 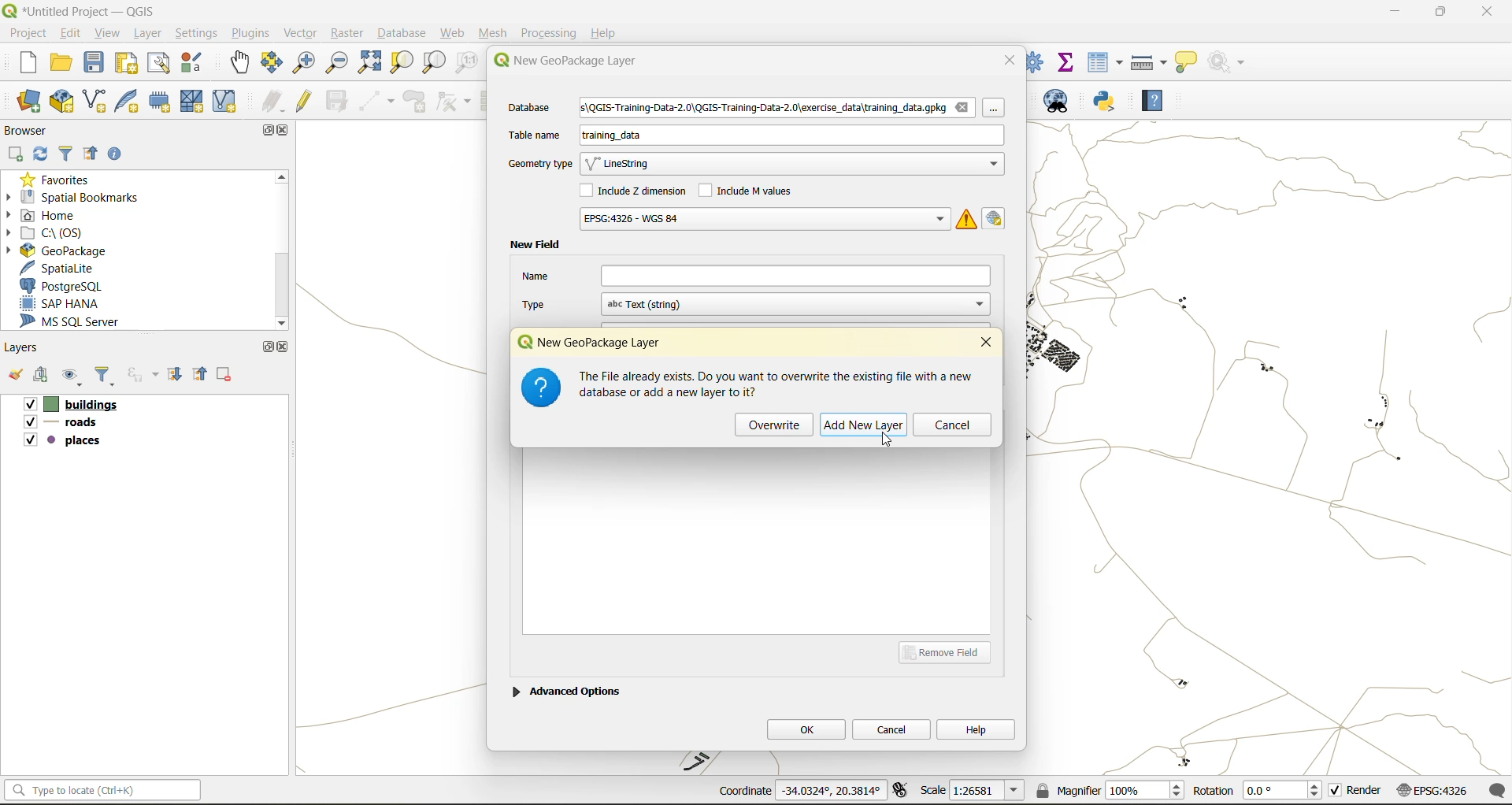 I want to click on places, so click(x=63, y=443).